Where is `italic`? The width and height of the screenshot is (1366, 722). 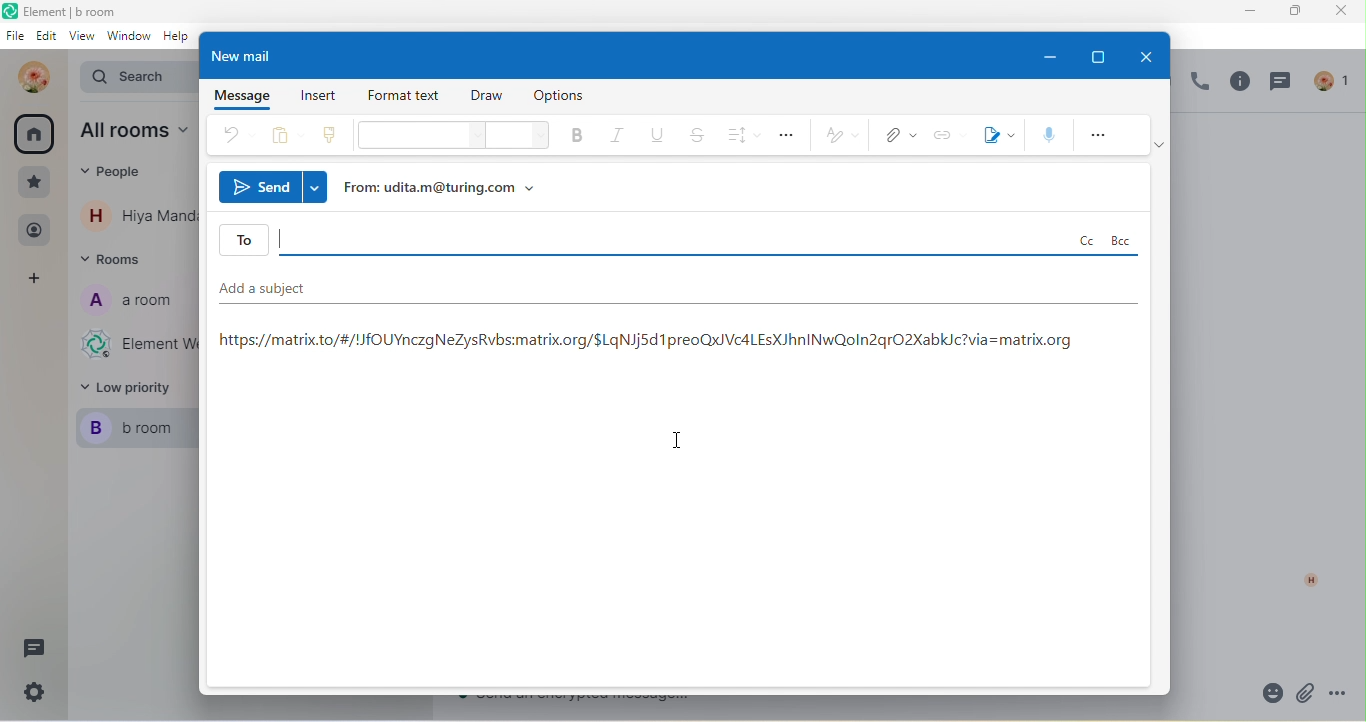
italic is located at coordinates (616, 137).